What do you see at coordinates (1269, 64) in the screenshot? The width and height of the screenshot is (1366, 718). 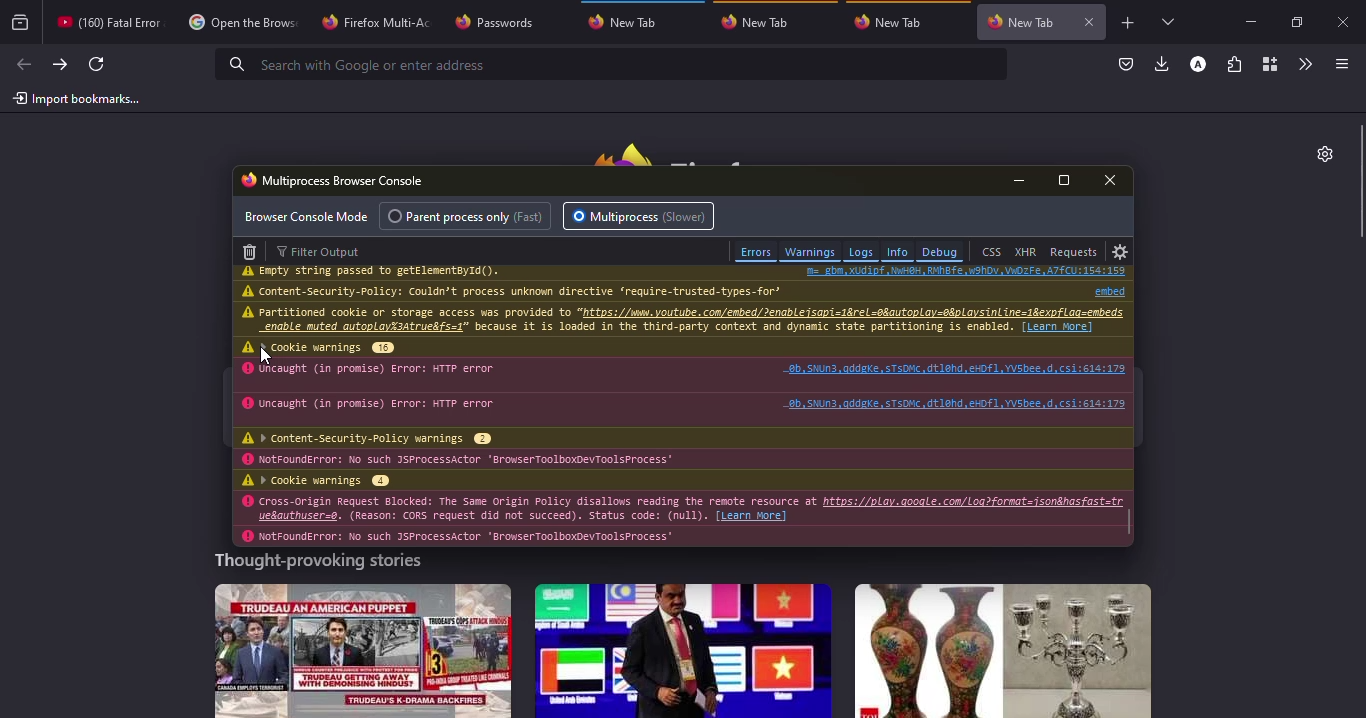 I see `container` at bounding box center [1269, 64].